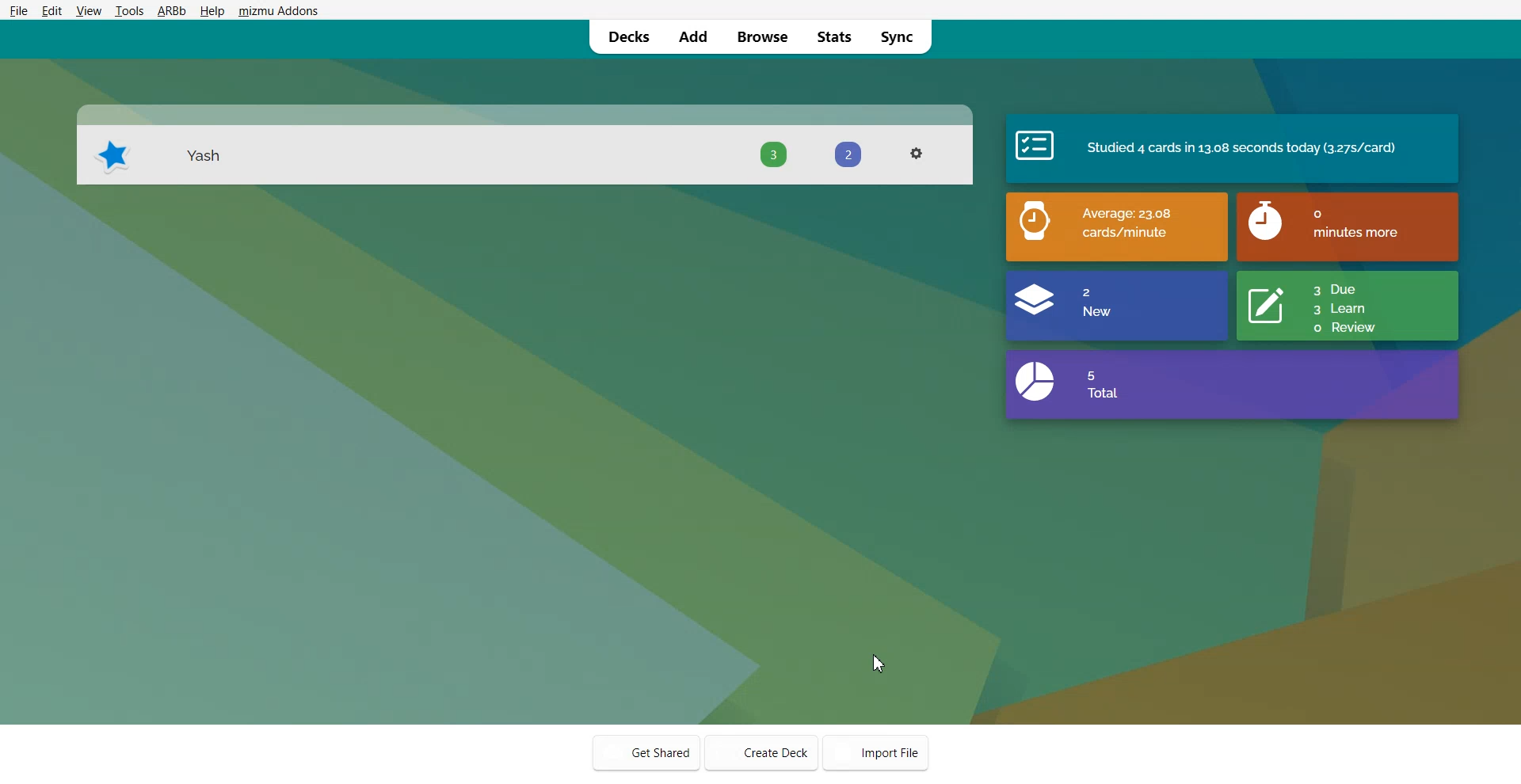 Image resolution: width=1521 pixels, height=784 pixels. What do you see at coordinates (1234, 149) in the screenshot?
I see `Studied 4 cards in 13.08 seconds today (3.725/card)` at bounding box center [1234, 149].